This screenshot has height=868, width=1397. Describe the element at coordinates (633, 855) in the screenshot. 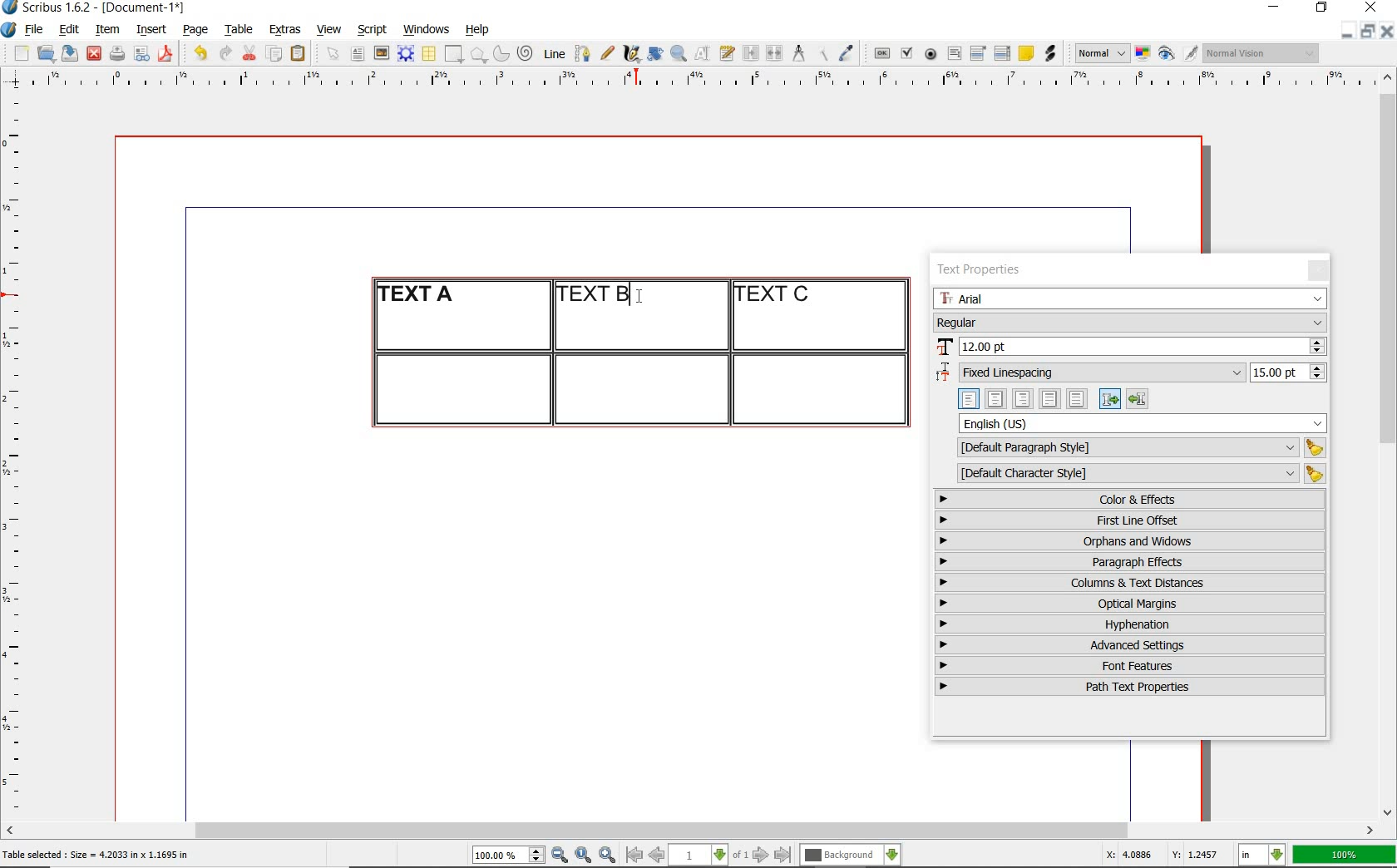

I see `go to first page` at that location.